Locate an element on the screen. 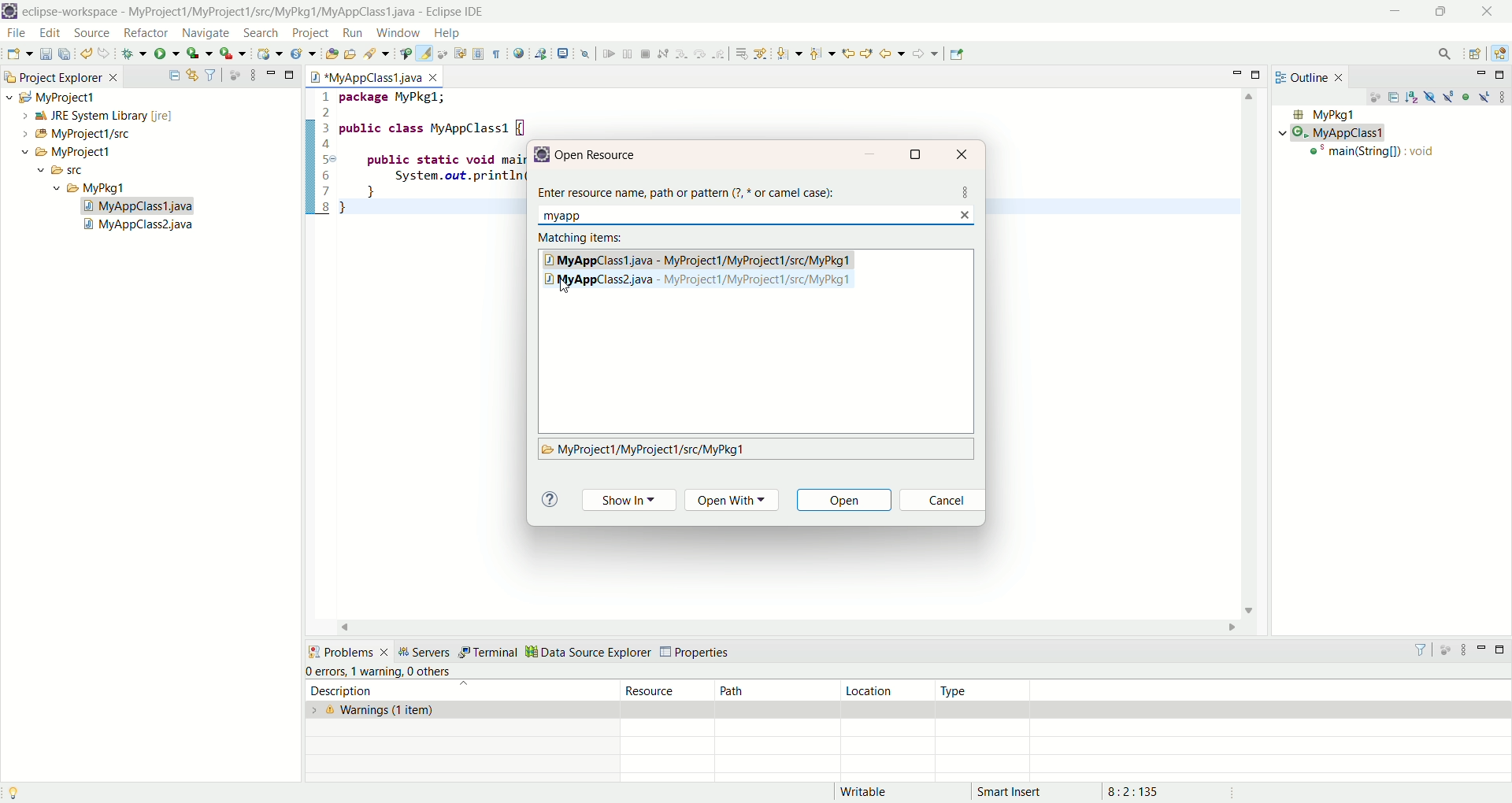 This screenshot has height=803, width=1512. properties is located at coordinates (698, 653).